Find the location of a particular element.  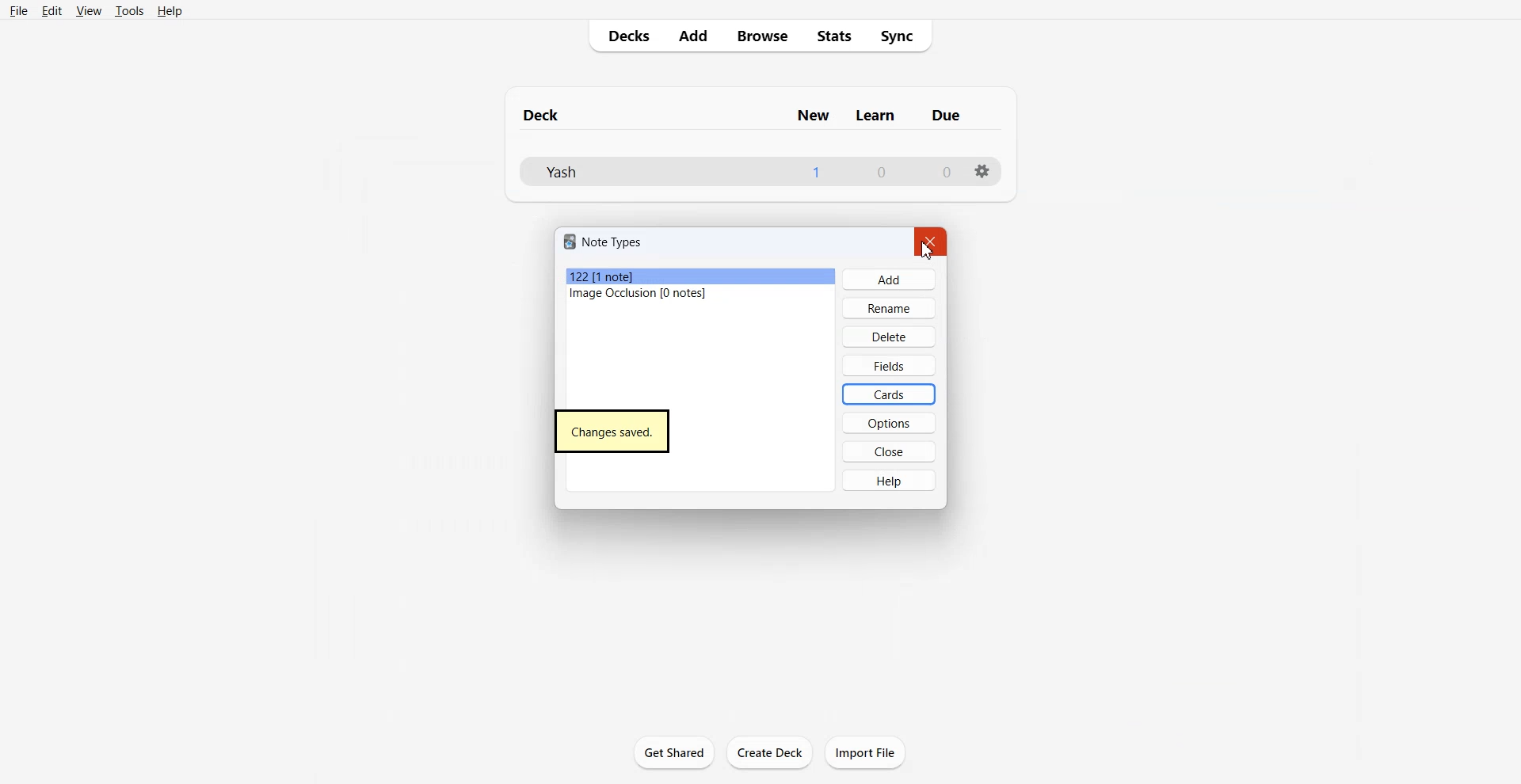

Help is located at coordinates (890, 480).